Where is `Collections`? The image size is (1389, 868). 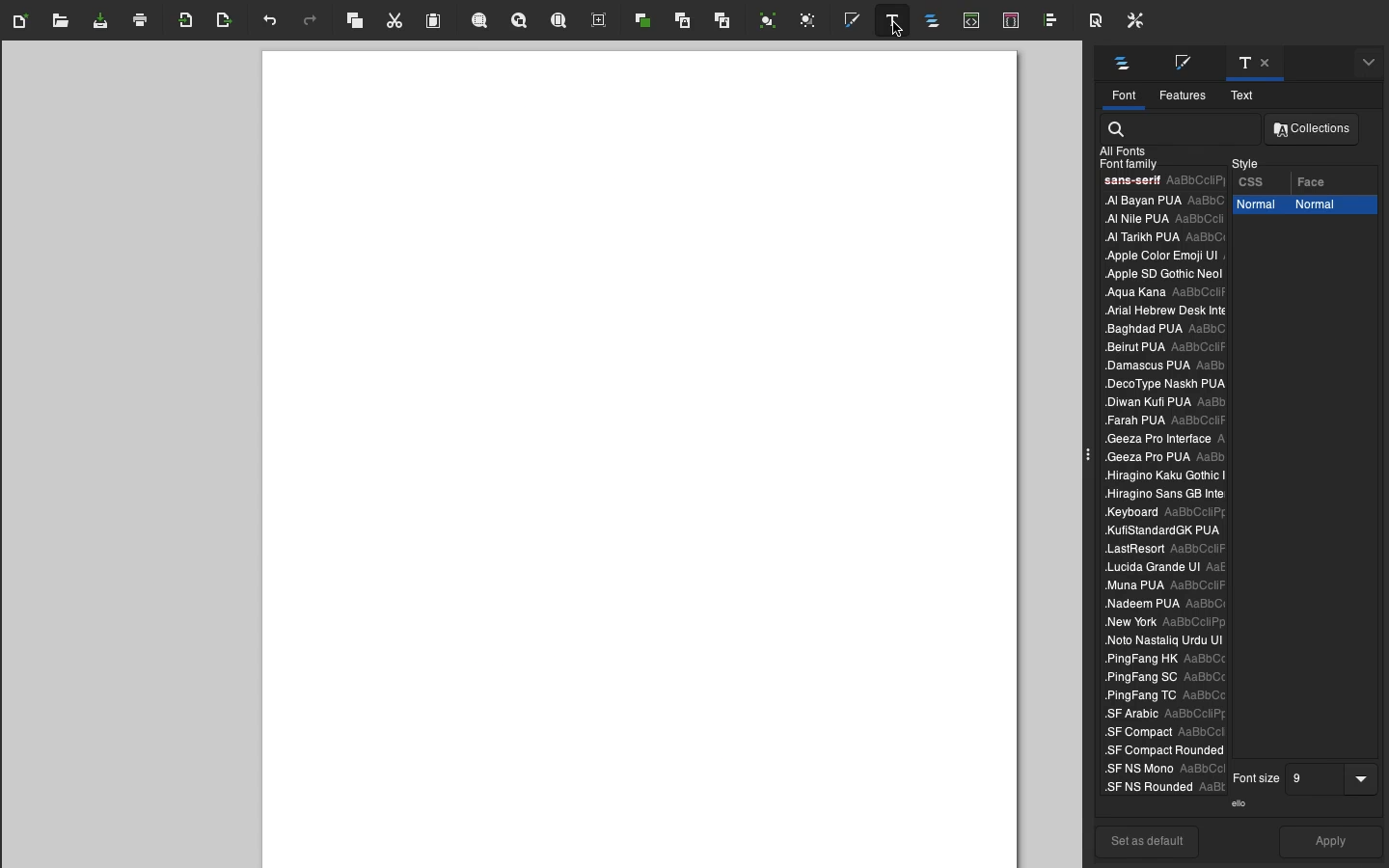
Collections is located at coordinates (1314, 130).